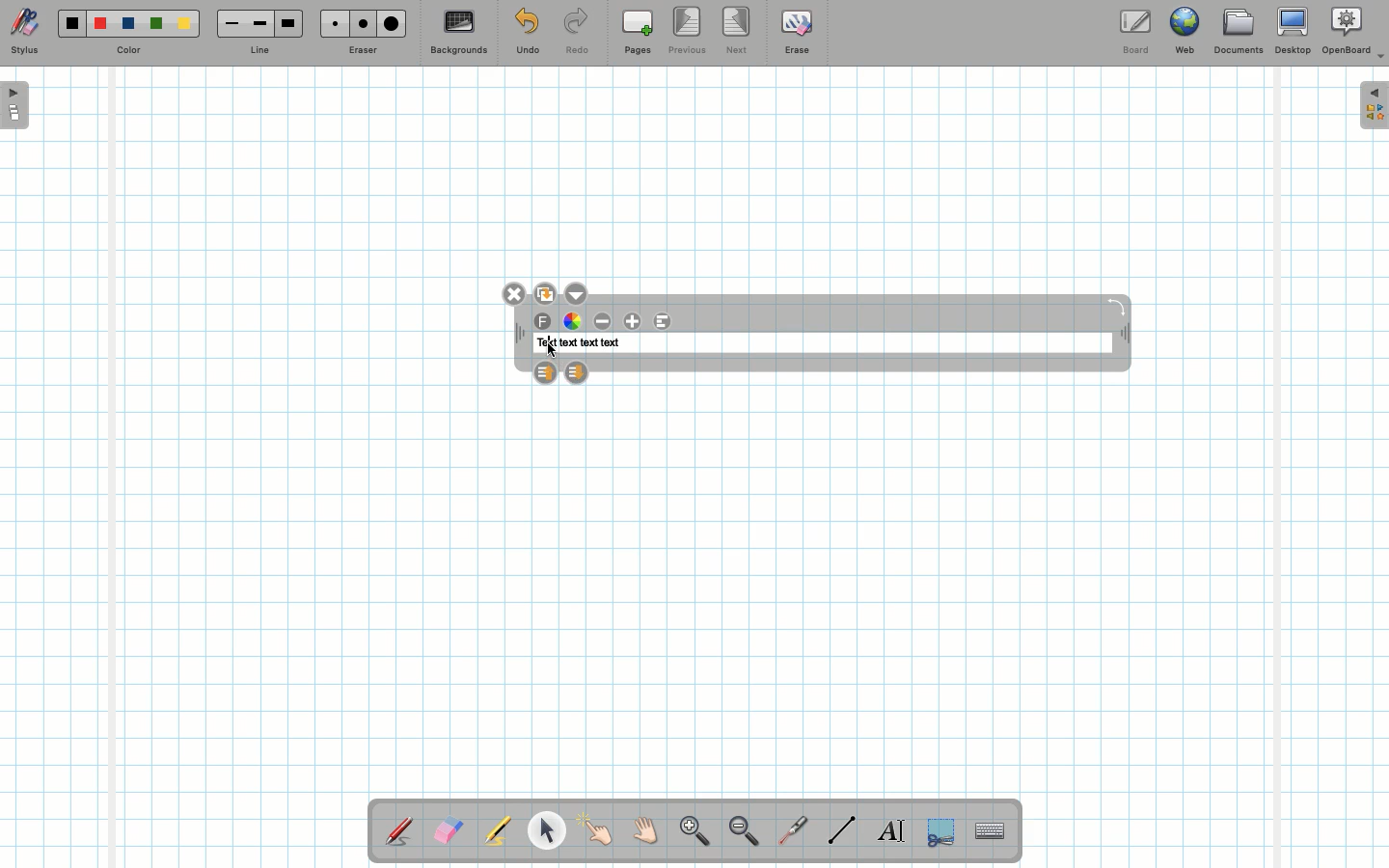 The image size is (1389, 868). What do you see at coordinates (576, 292) in the screenshot?
I see `Options` at bounding box center [576, 292].